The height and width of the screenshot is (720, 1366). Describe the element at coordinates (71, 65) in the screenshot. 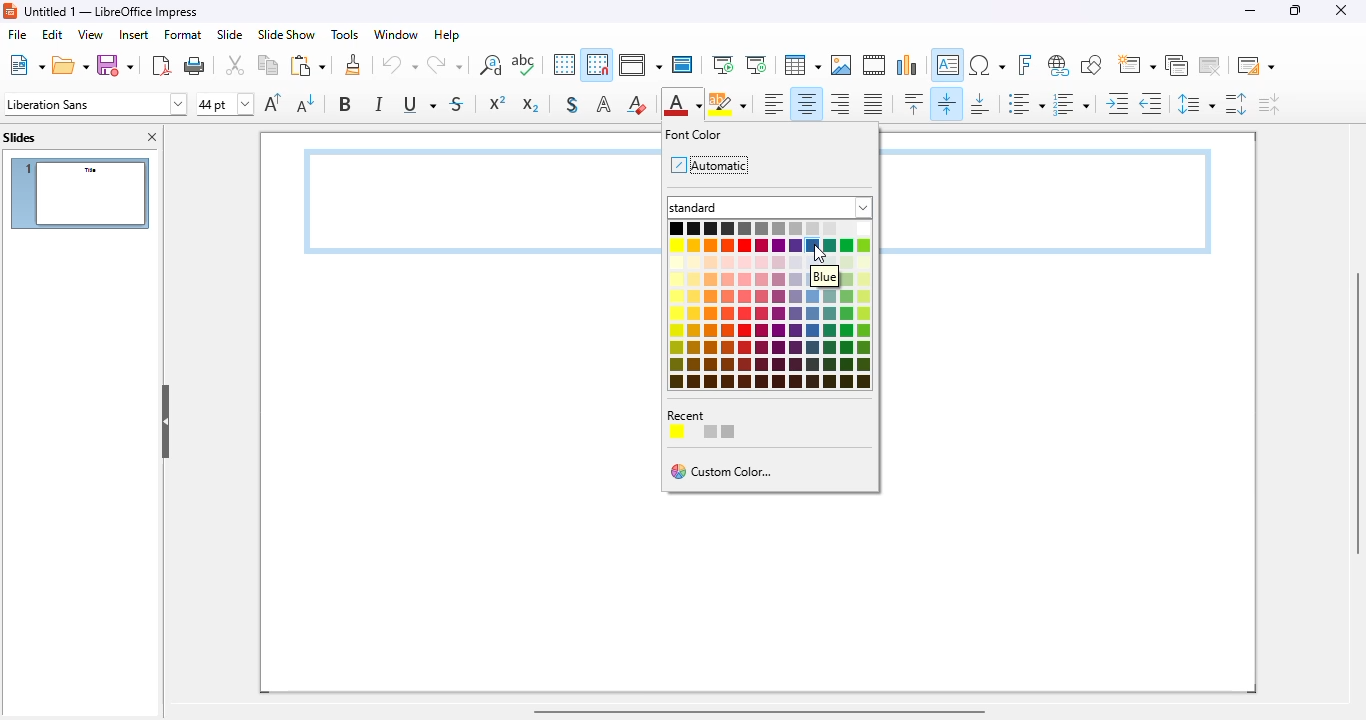

I see `open` at that location.